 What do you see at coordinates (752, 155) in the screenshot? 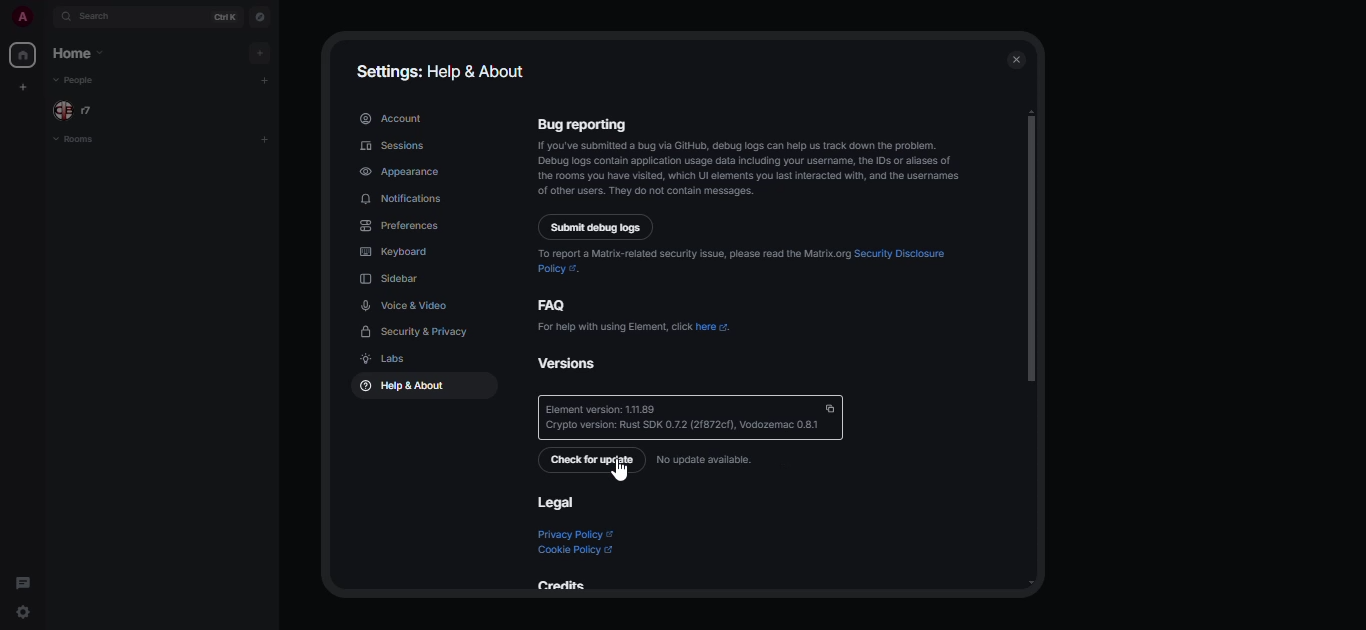
I see `Bug reportingHf youve submied 3 ug vi GID, debug logs can help us rack down he problem.Debug logs contain appication usage daa ncuing your username, th Ds o aases of1a rooms you have visted, which Ul elements you ast neracted with, and the usernamesof other users. They do not contain messages.` at bounding box center [752, 155].